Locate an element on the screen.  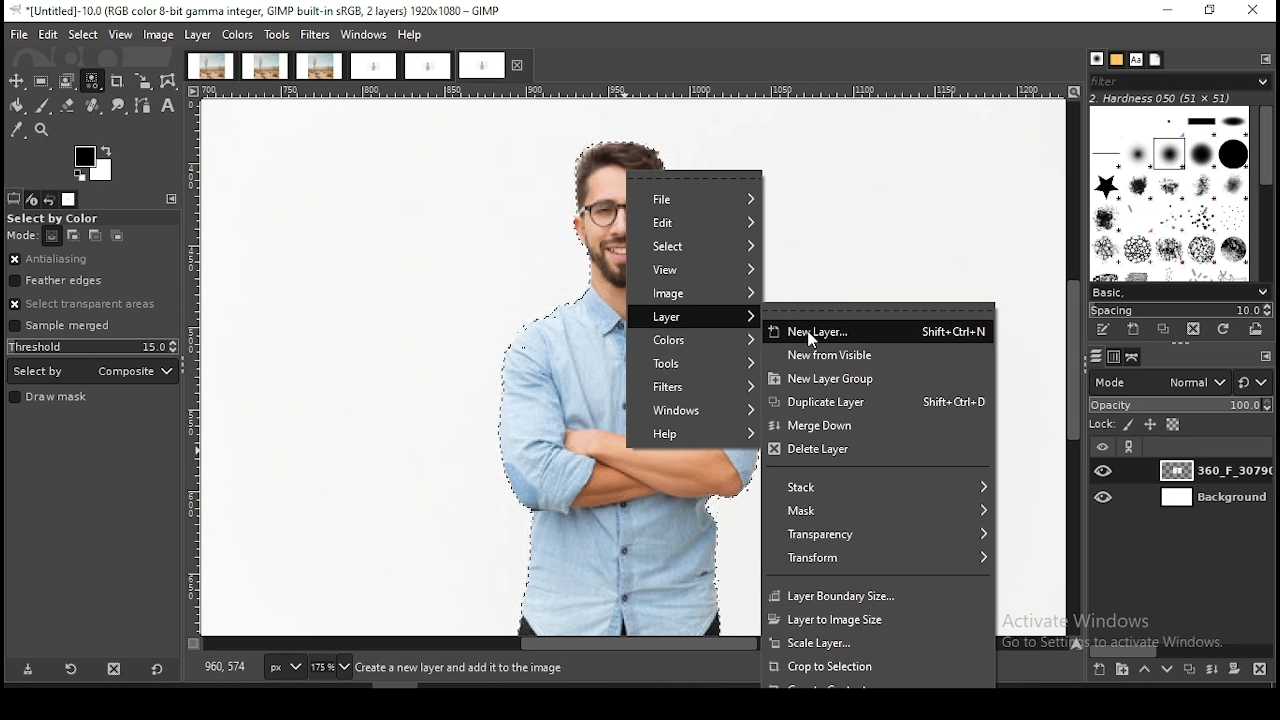
filters is located at coordinates (691, 387).